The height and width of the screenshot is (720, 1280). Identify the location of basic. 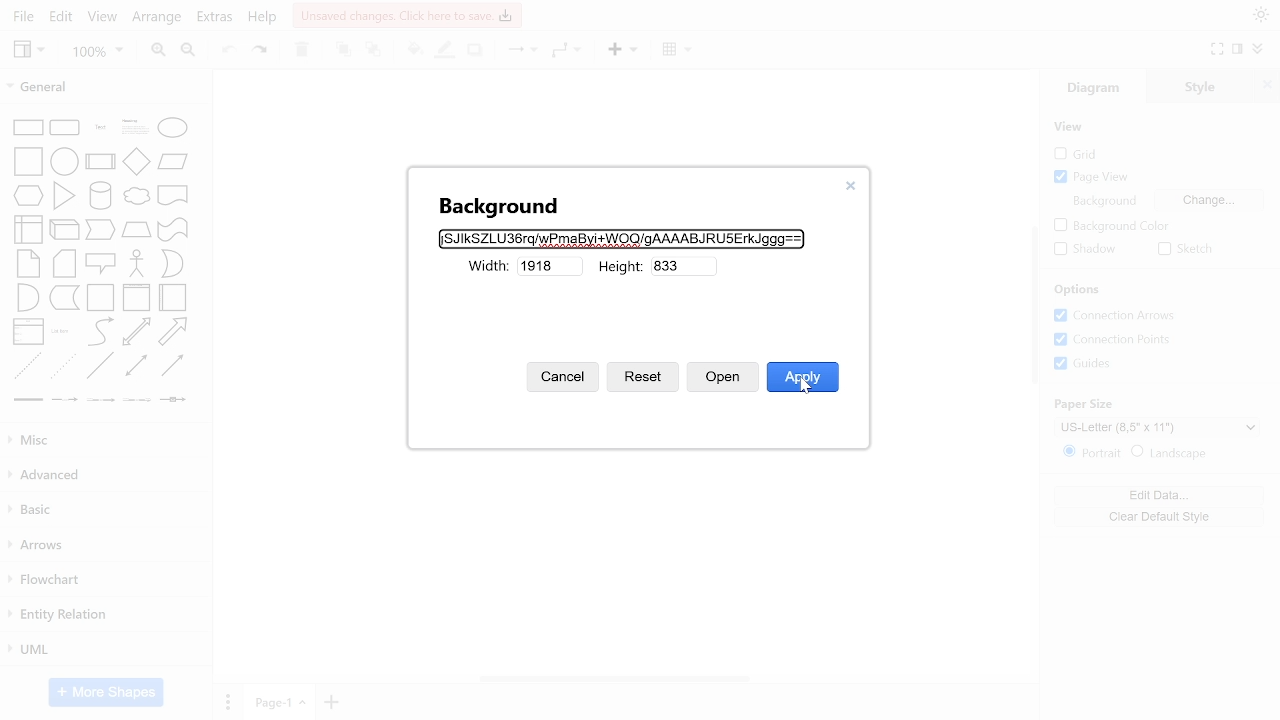
(105, 510).